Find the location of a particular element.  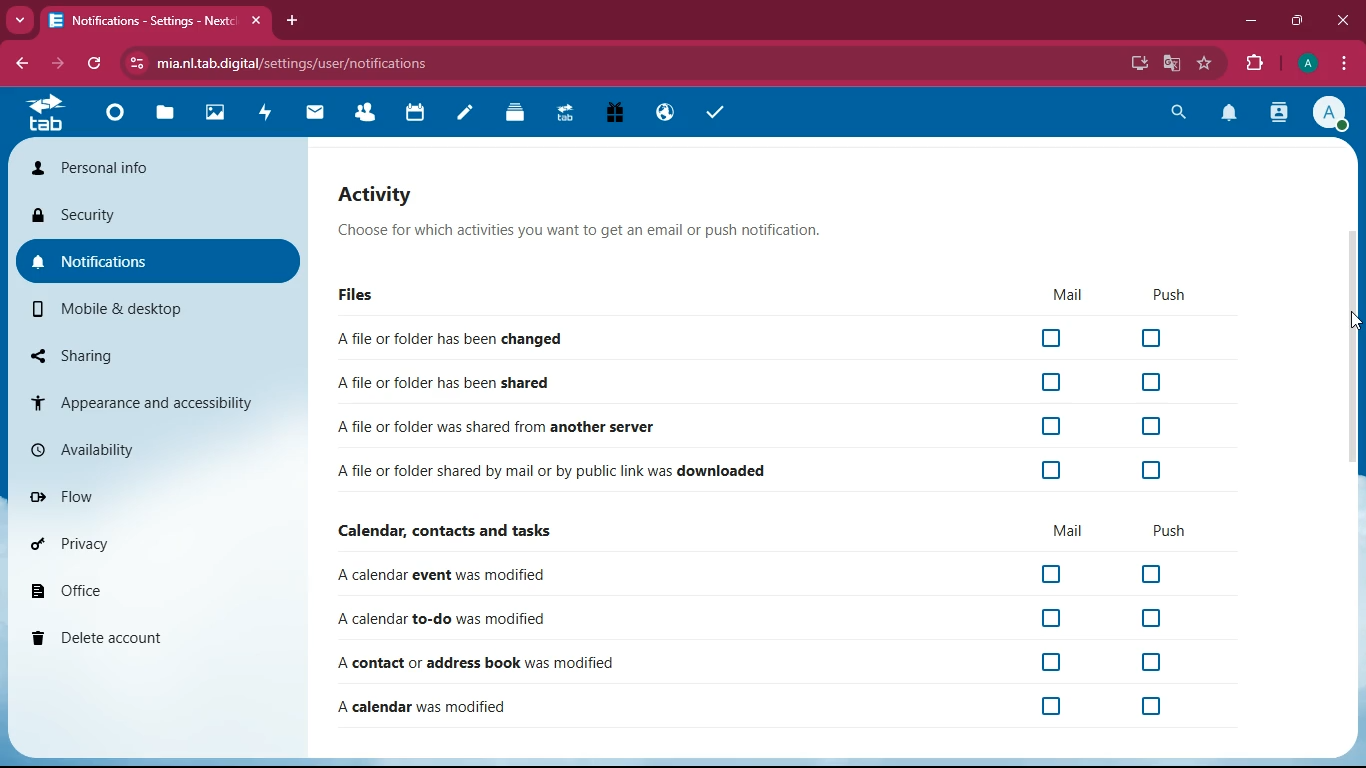

Upgrade is located at coordinates (566, 115).